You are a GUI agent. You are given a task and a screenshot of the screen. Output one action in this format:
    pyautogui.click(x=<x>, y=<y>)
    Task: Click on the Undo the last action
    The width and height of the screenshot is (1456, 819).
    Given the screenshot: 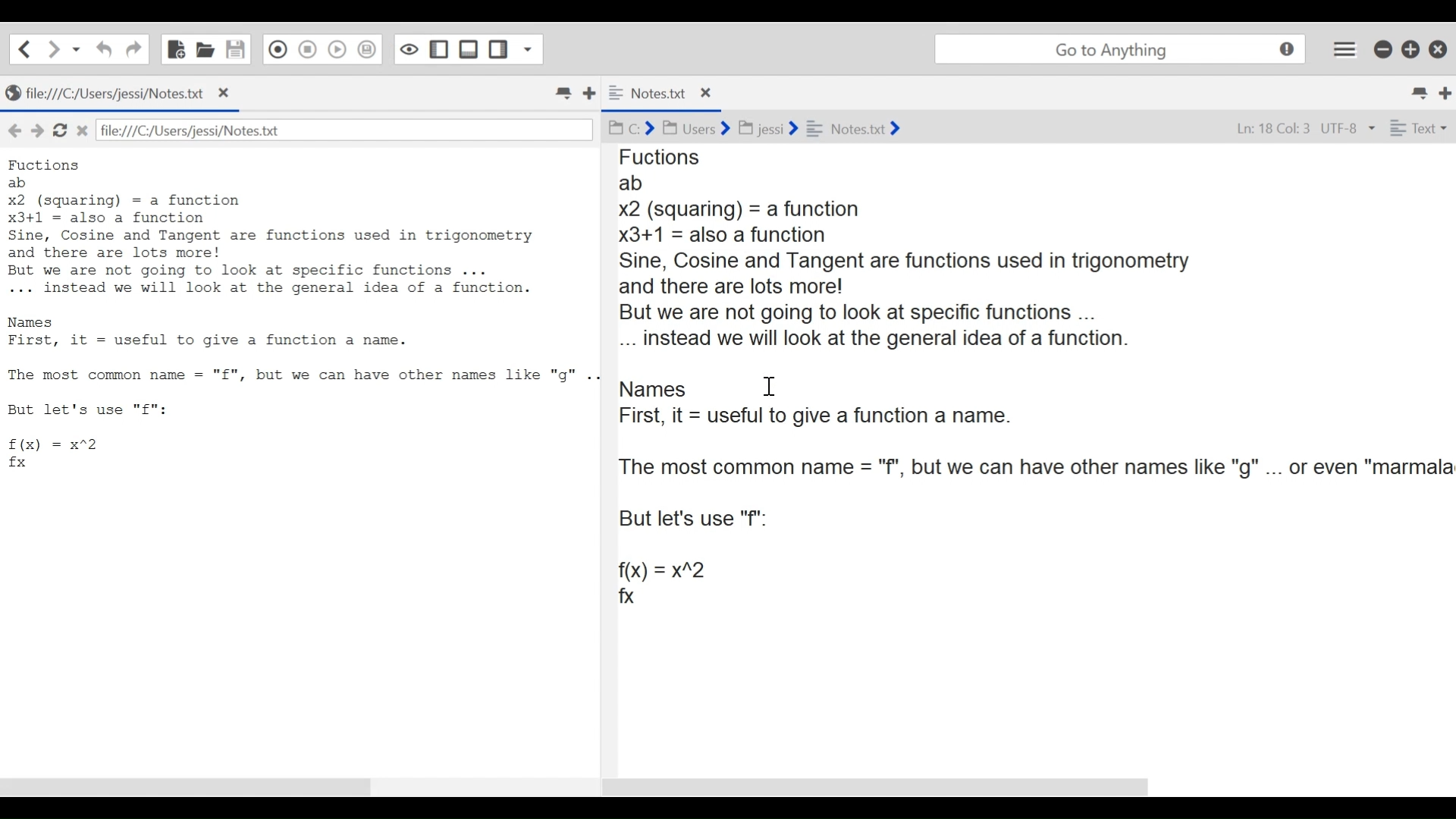 What is the action you would take?
    pyautogui.click(x=133, y=49)
    